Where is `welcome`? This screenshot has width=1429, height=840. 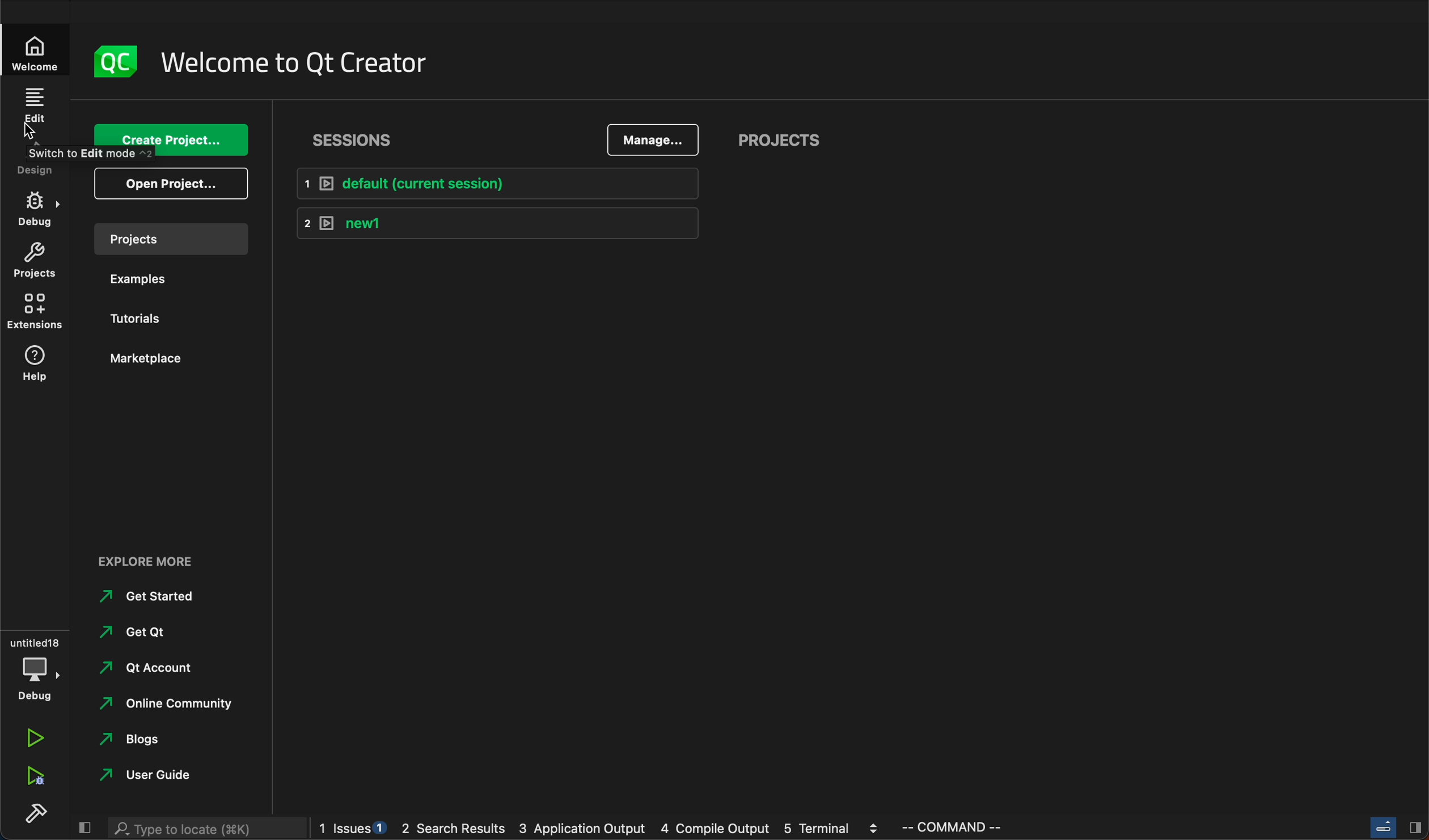 welcome is located at coordinates (36, 57).